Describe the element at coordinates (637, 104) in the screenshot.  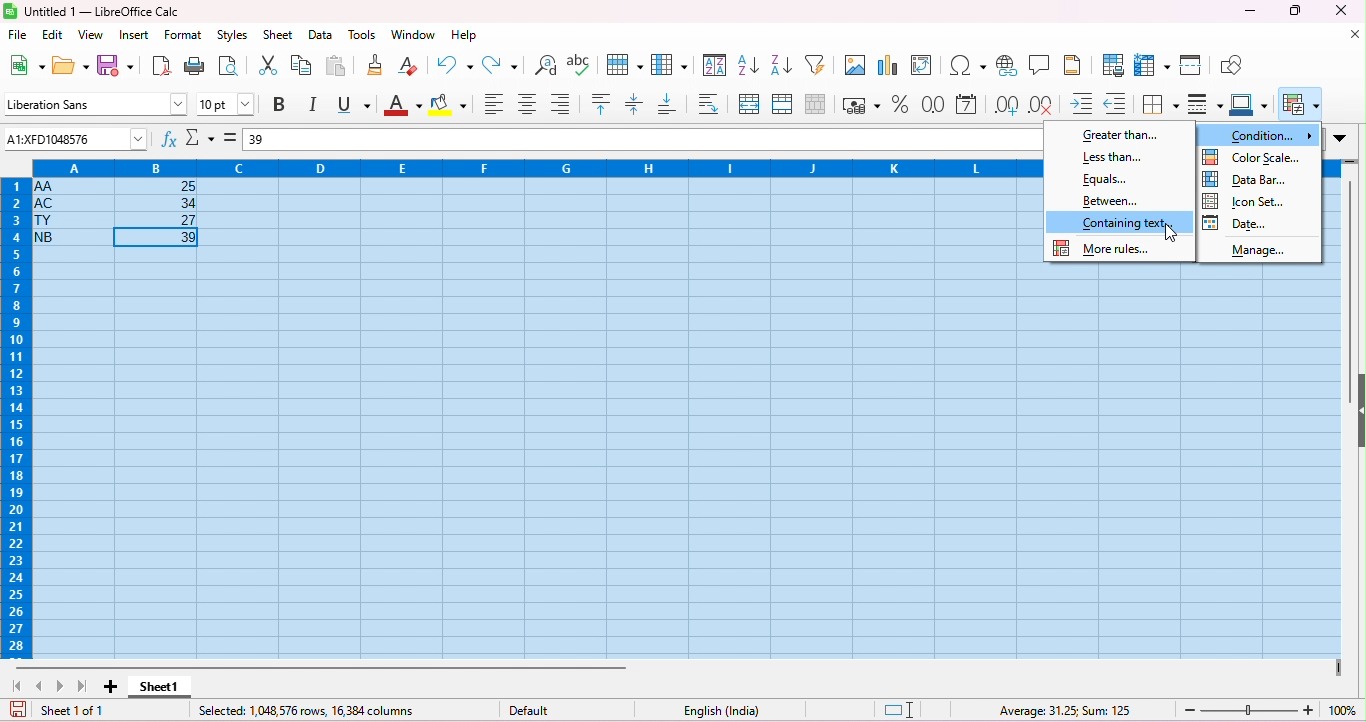
I see `center vertically` at that location.